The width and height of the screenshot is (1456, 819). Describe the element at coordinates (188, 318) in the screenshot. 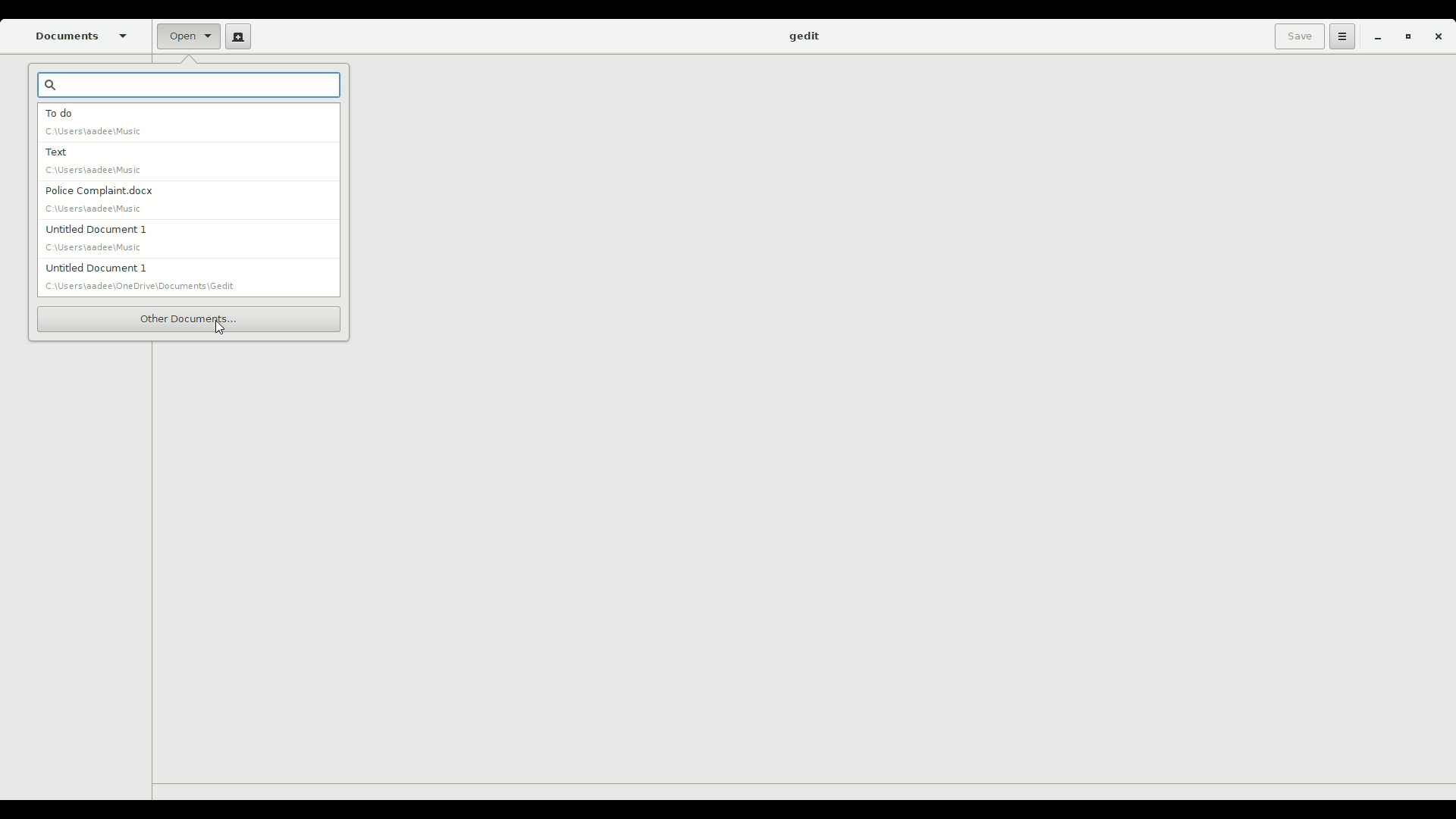

I see `Other Documents` at that location.